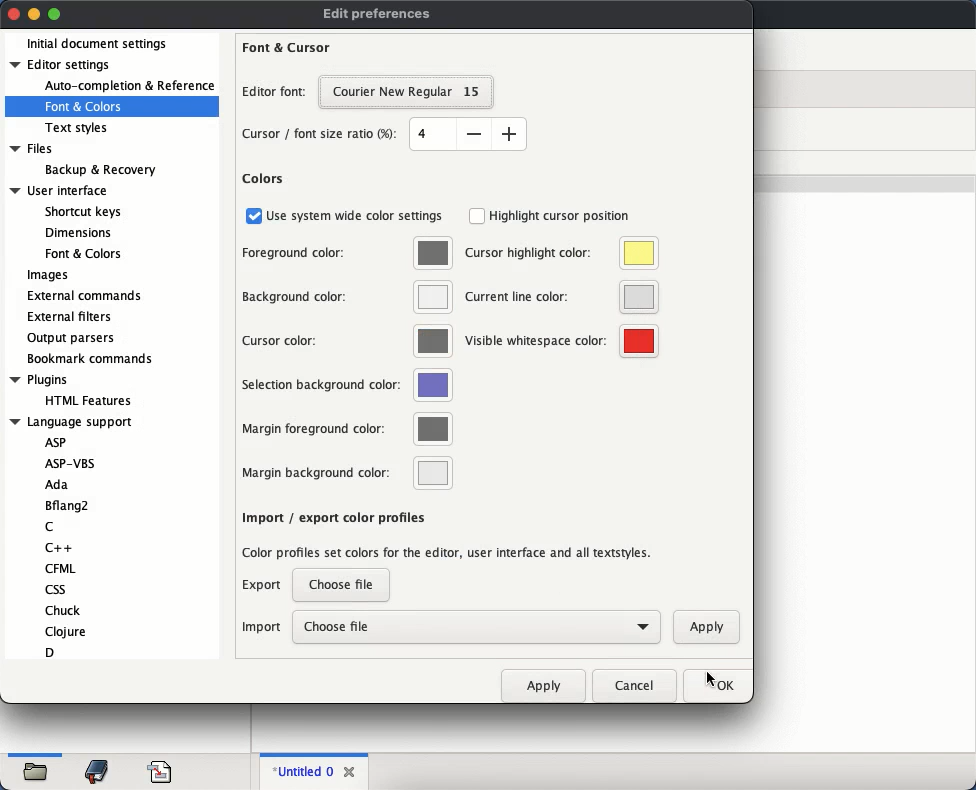 The image size is (976, 790). Describe the element at coordinates (82, 253) in the screenshot. I see `font & colors` at that location.